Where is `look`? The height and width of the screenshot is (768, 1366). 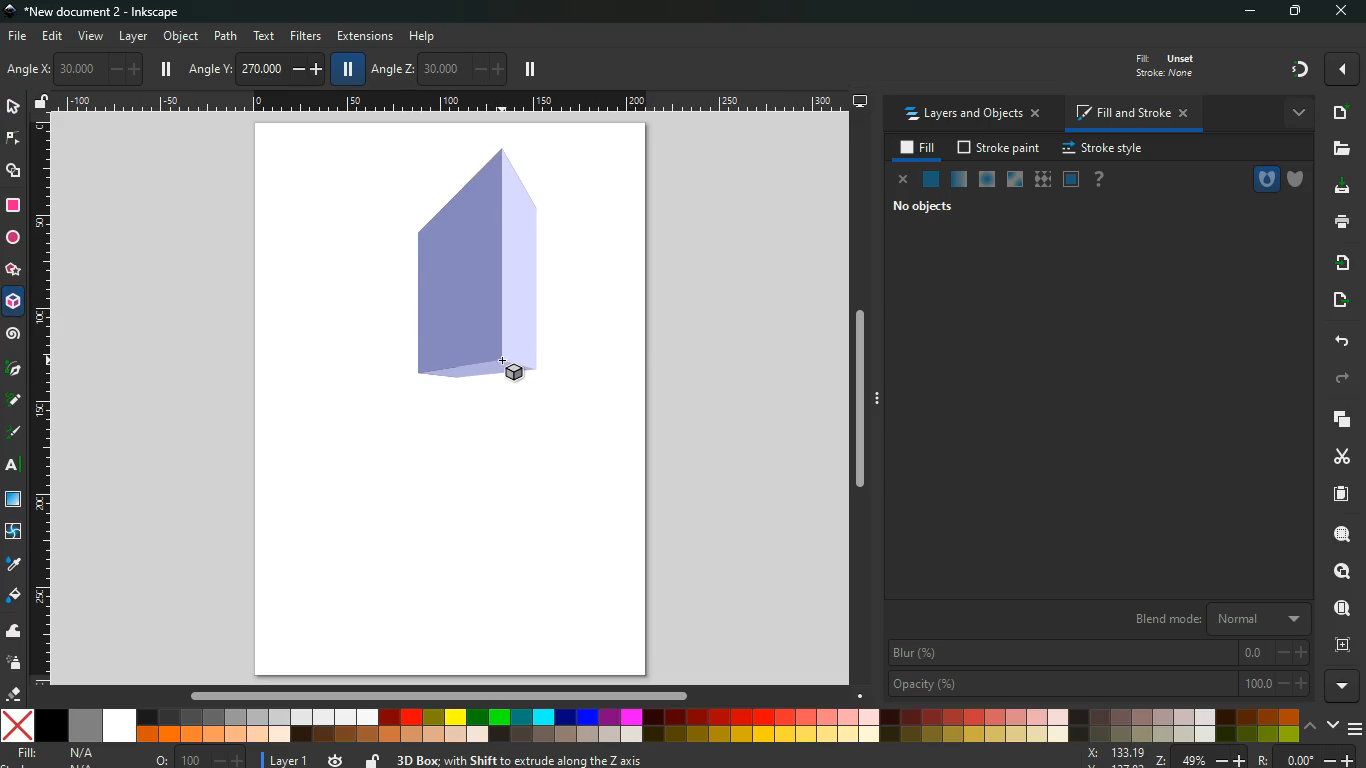 look is located at coordinates (1336, 572).